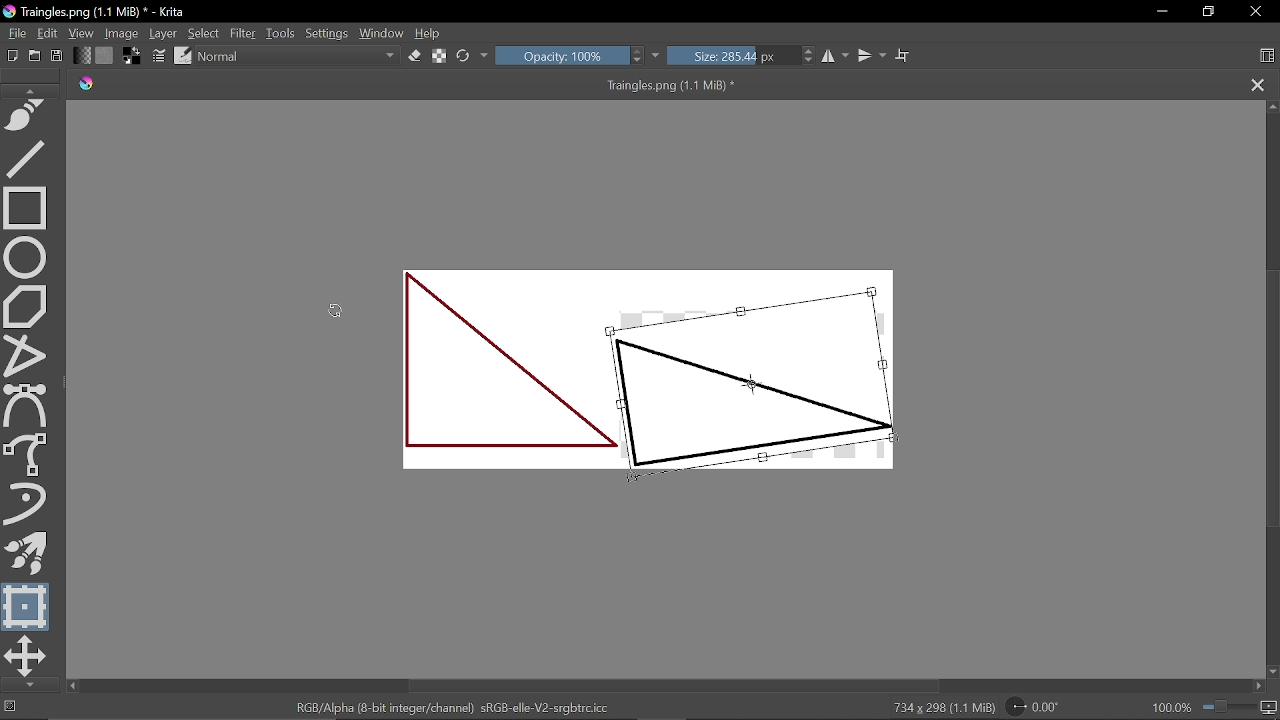 The width and height of the screenshot is (1280, 720). What do you see at coordinates (28, 304) in the screenshot?
I see `Polygon tool` at bounding box center [28, 304].